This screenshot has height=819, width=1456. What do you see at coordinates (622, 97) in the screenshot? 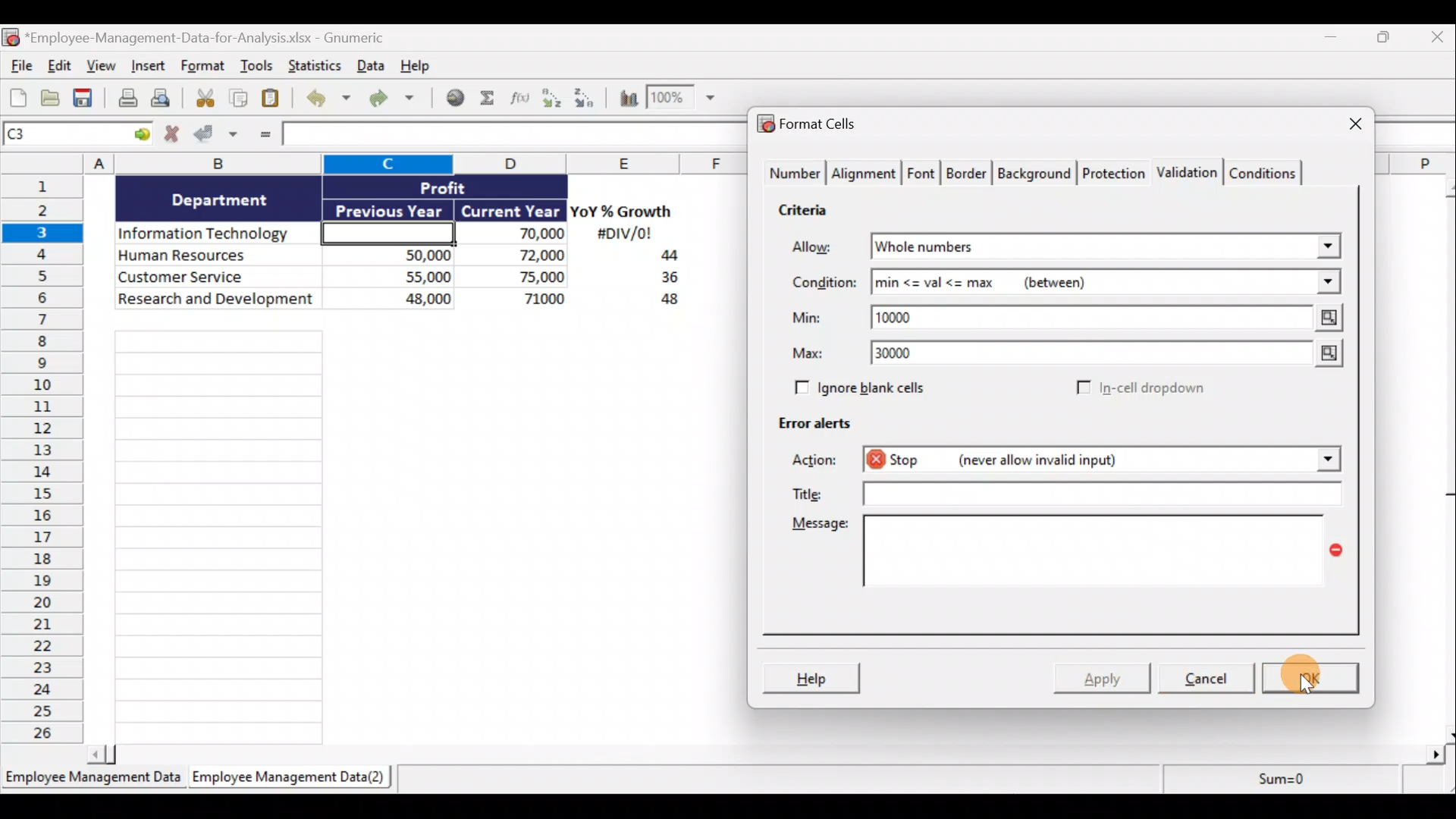
I see `Insert a chart` at bounding box center [622, 97].